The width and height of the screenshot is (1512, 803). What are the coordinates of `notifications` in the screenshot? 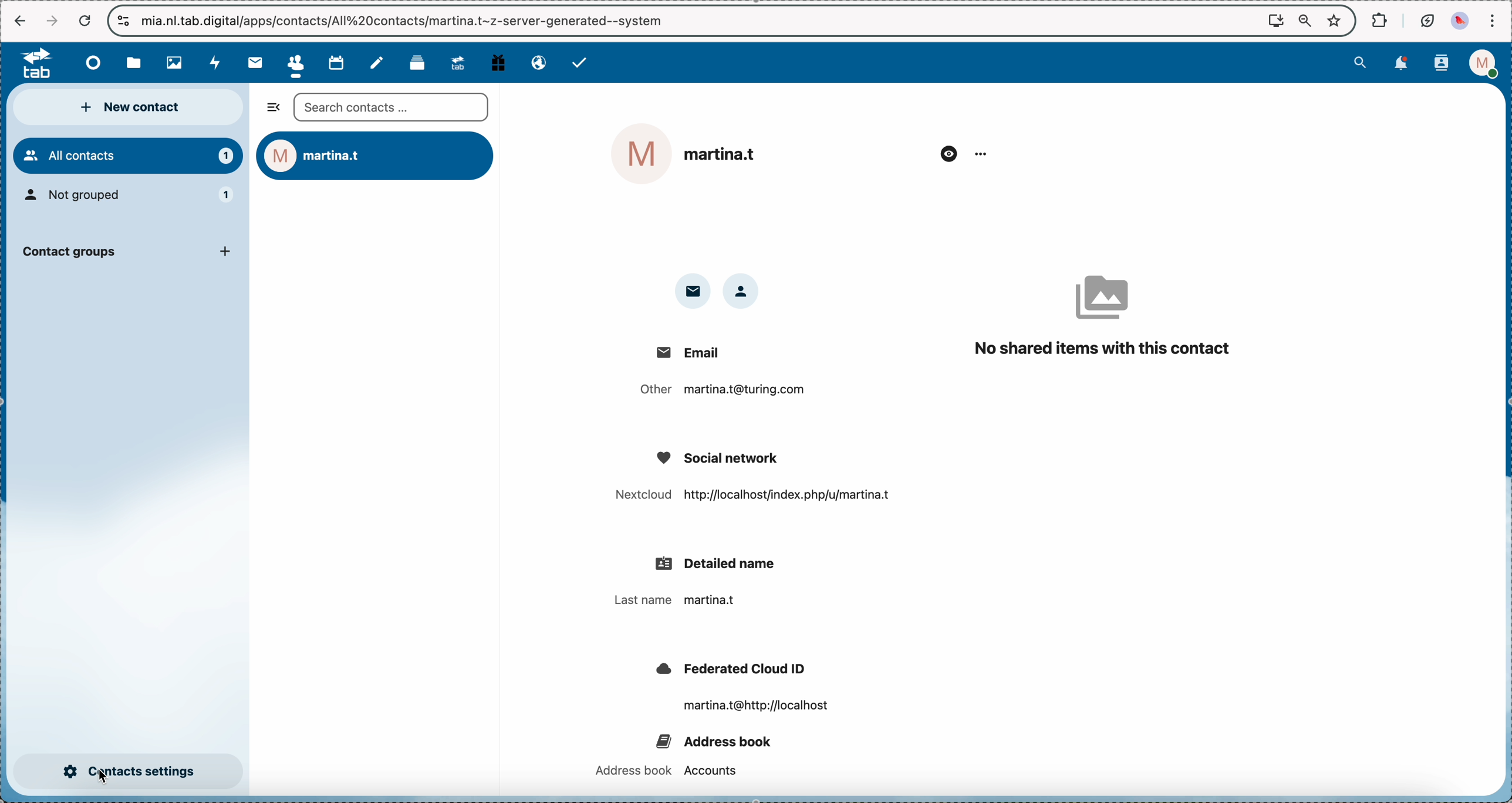 It's located at (1404, 63).